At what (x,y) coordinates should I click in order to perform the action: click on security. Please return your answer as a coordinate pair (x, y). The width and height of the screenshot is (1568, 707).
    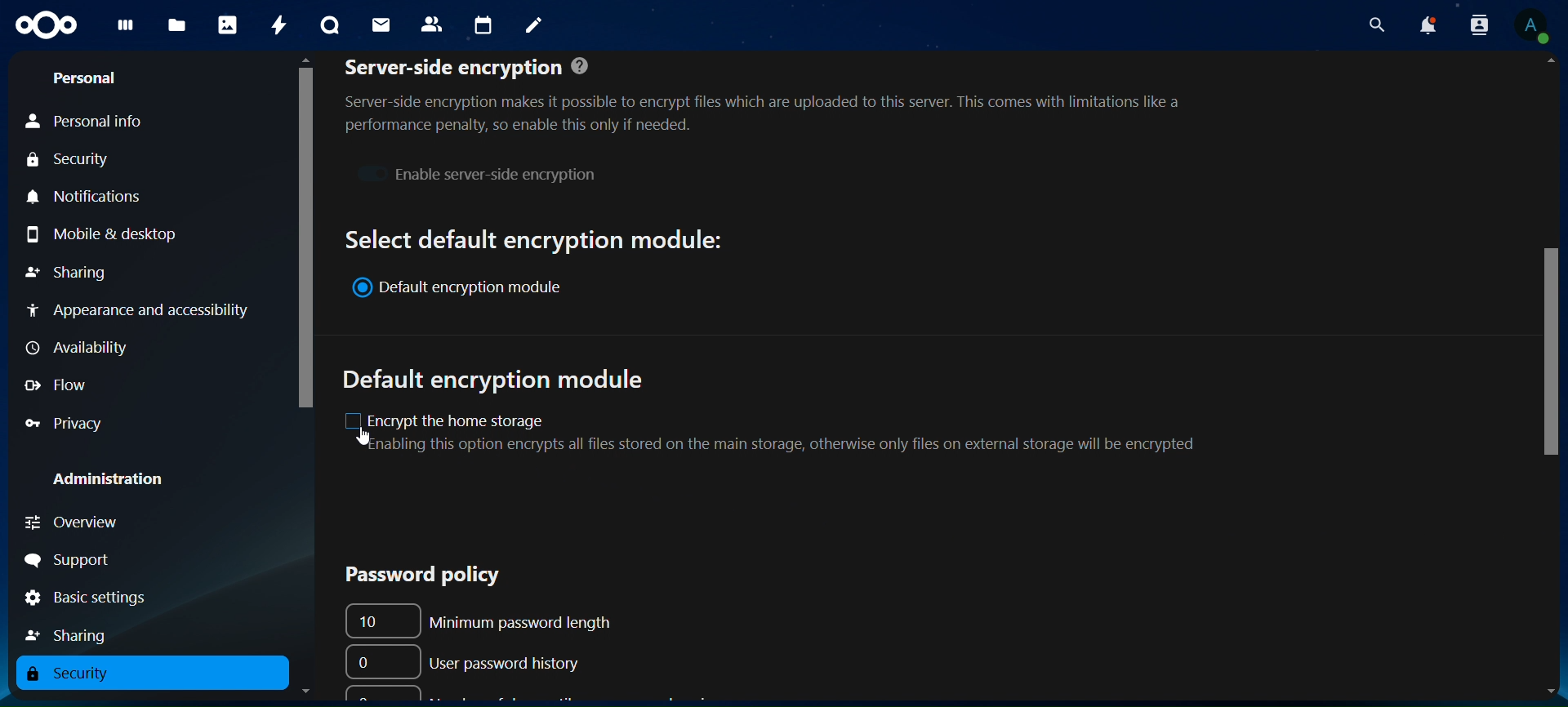
    Looking at the image, I should click on (80, 674).